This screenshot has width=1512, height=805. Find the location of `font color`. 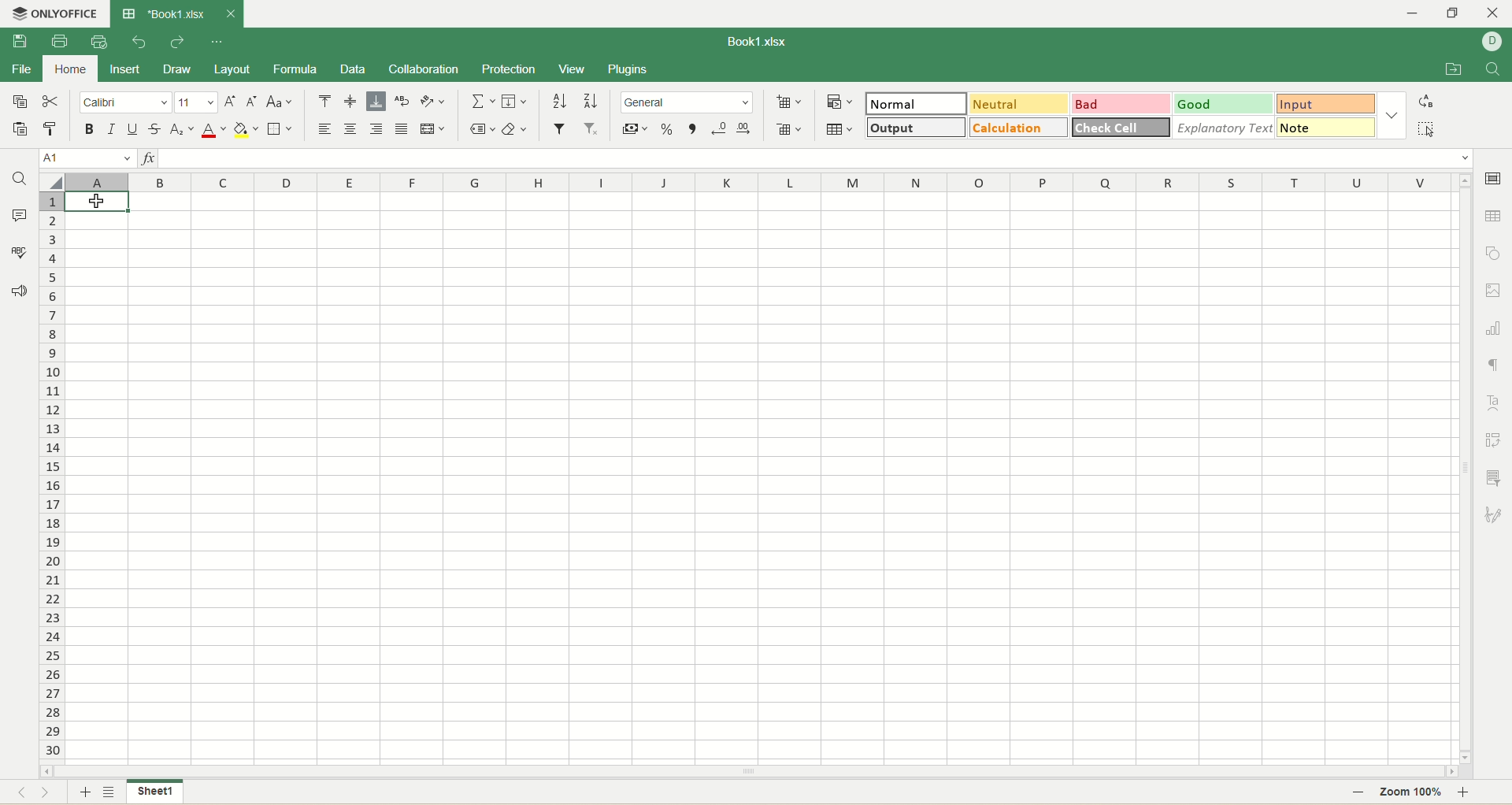

font color is located at coordinates (213, 131).